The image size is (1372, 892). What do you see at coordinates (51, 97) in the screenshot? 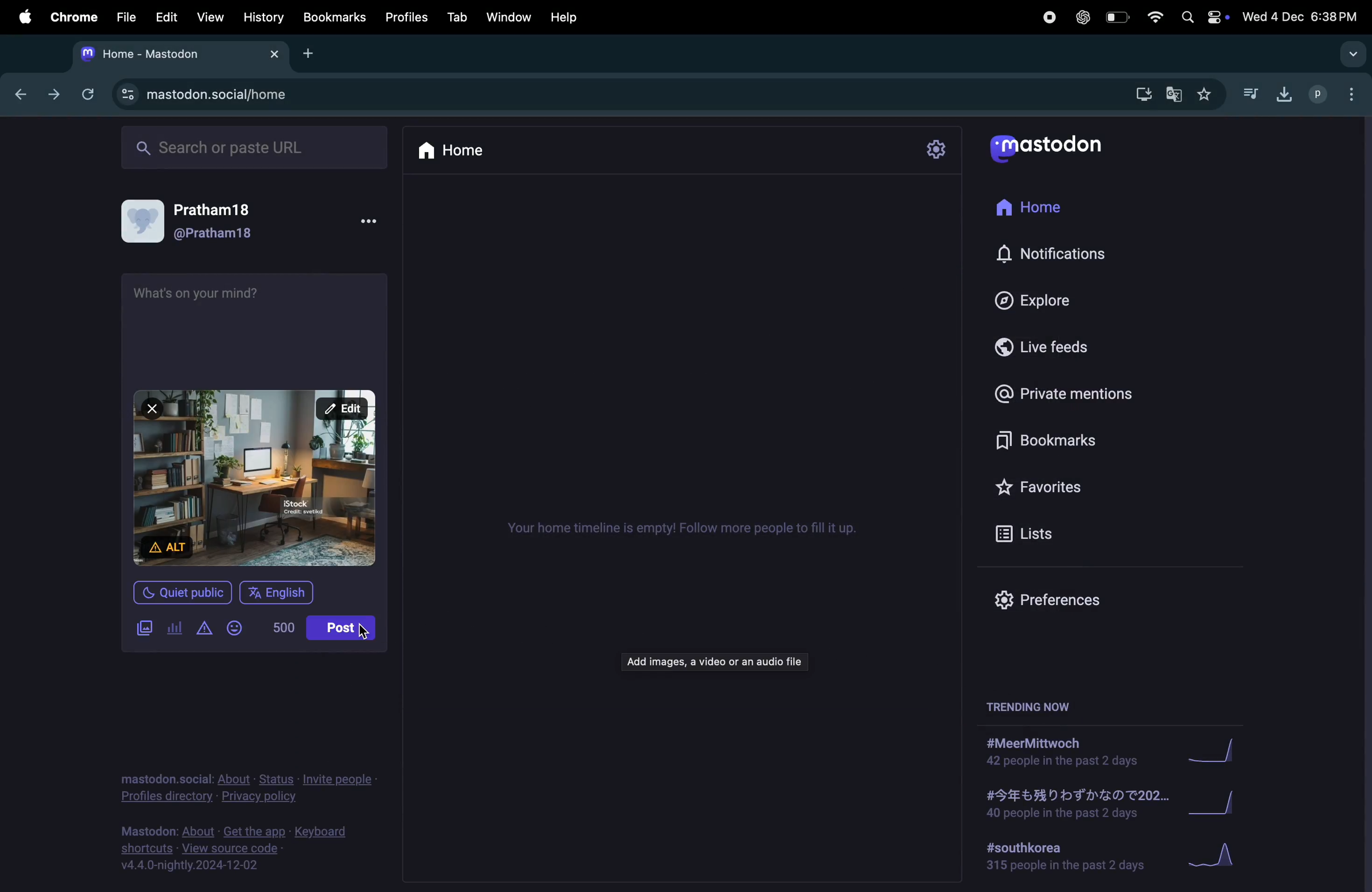
I see `forward` at bounding box center [51, 97].